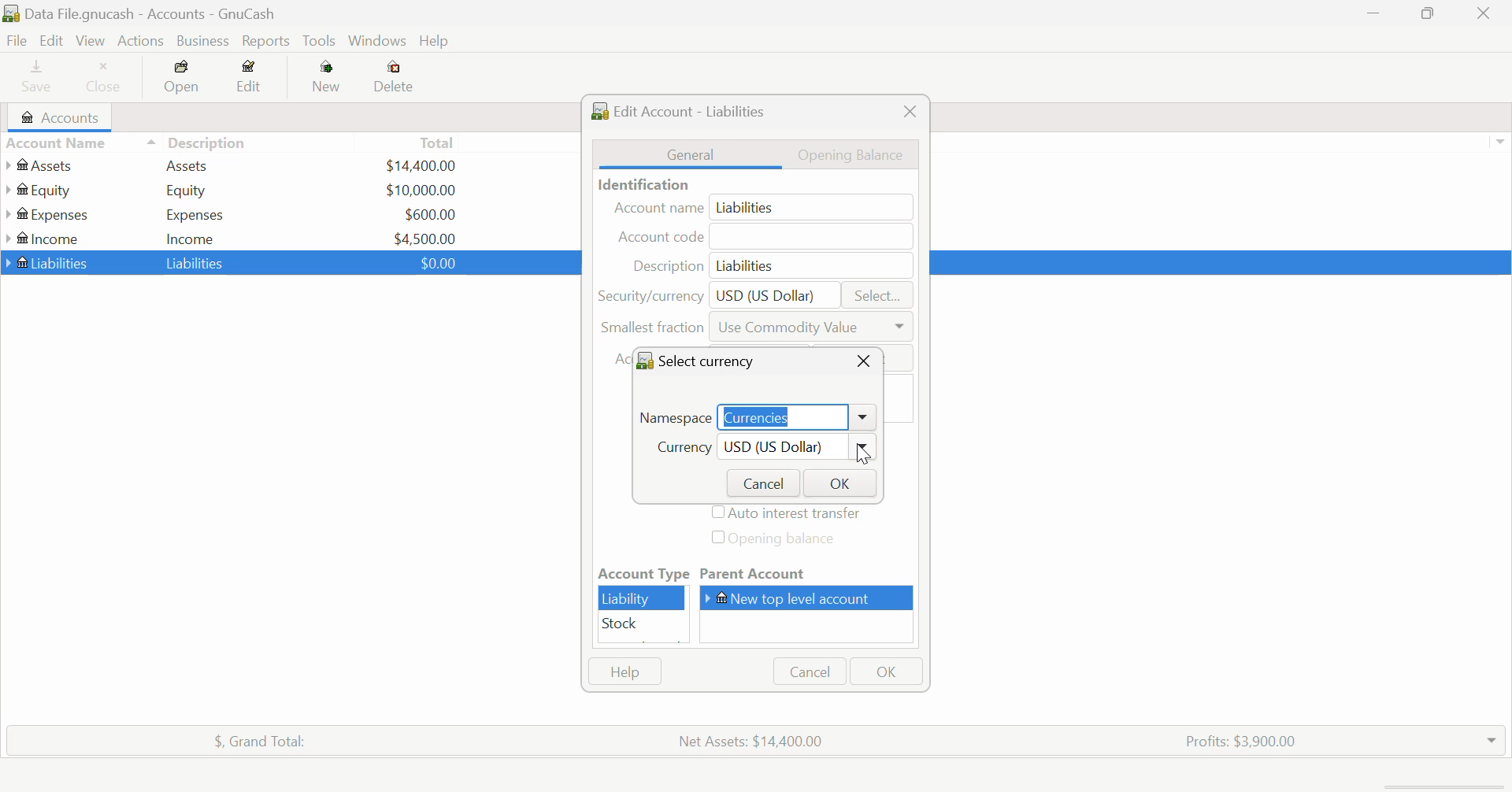 The width and height of the screenshot is (1512, 792). What do you see at coordinates (15, 41) in the screenshot?
I see `File` at bounding box center [15, 41].